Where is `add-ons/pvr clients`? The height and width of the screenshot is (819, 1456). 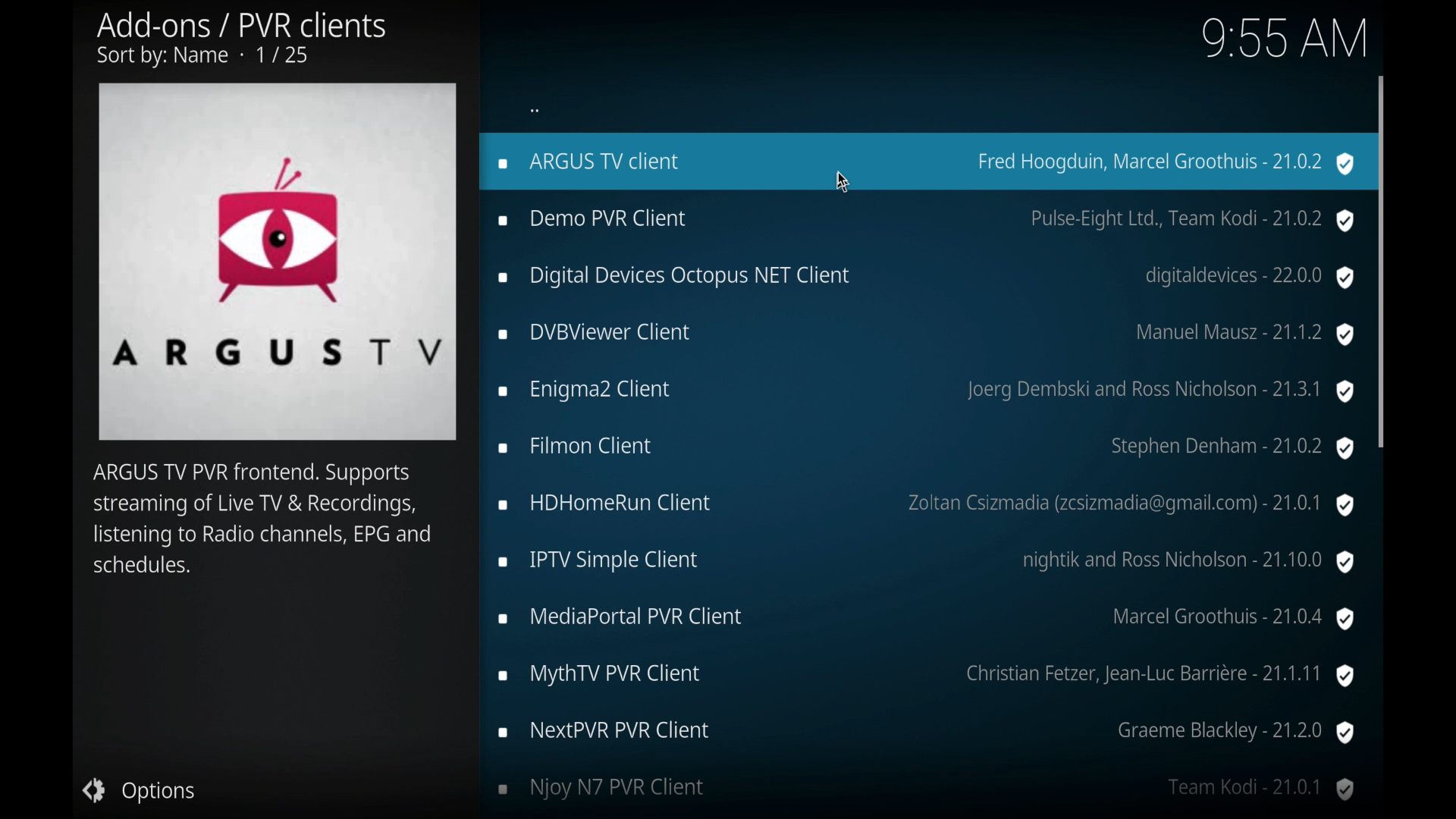
add-ons/pvr clients is located at coordinates (241, 40).